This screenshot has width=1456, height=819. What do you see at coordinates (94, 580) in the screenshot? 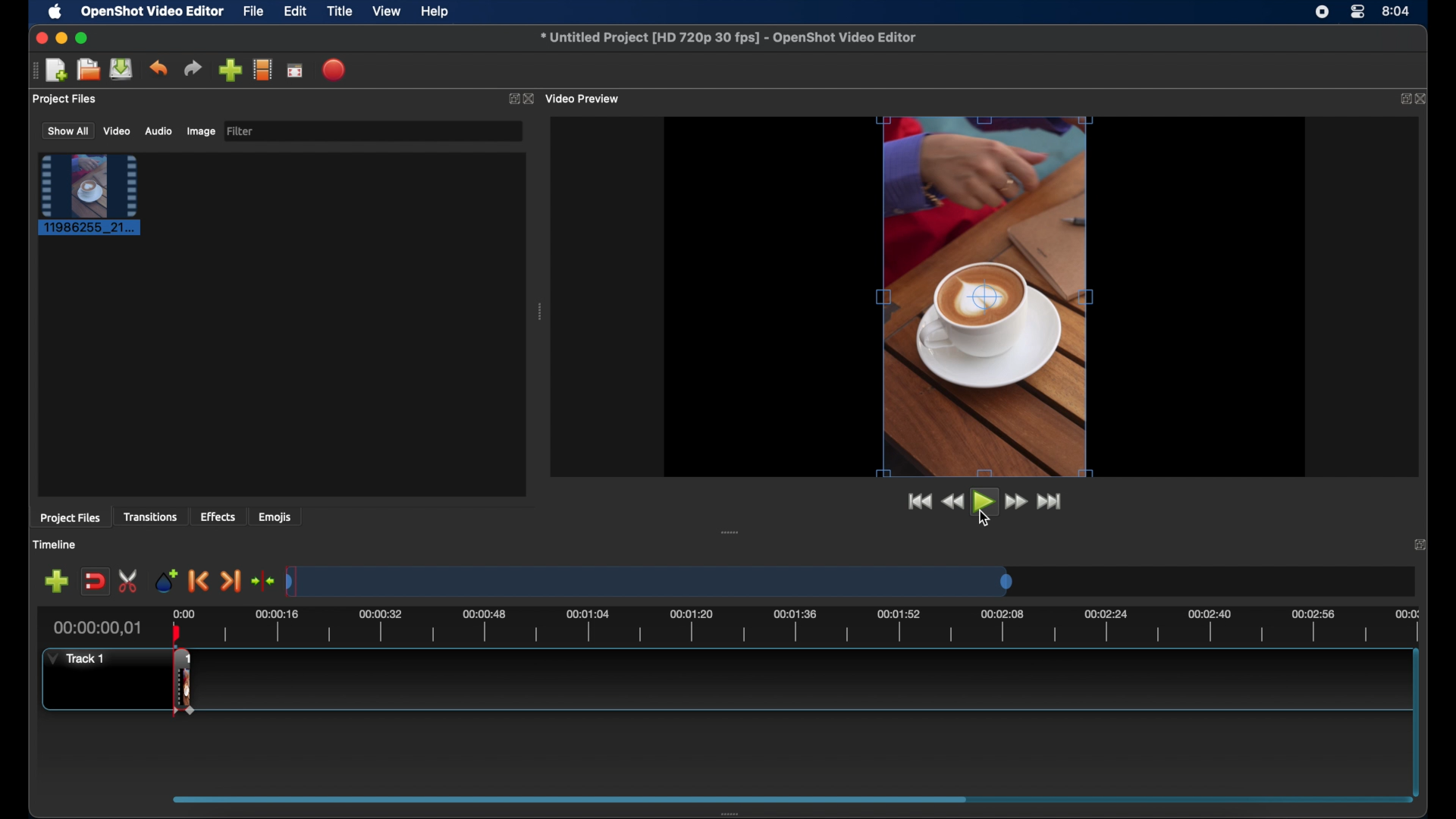
I see `disable  snapping` at bounding box center [94, 580].